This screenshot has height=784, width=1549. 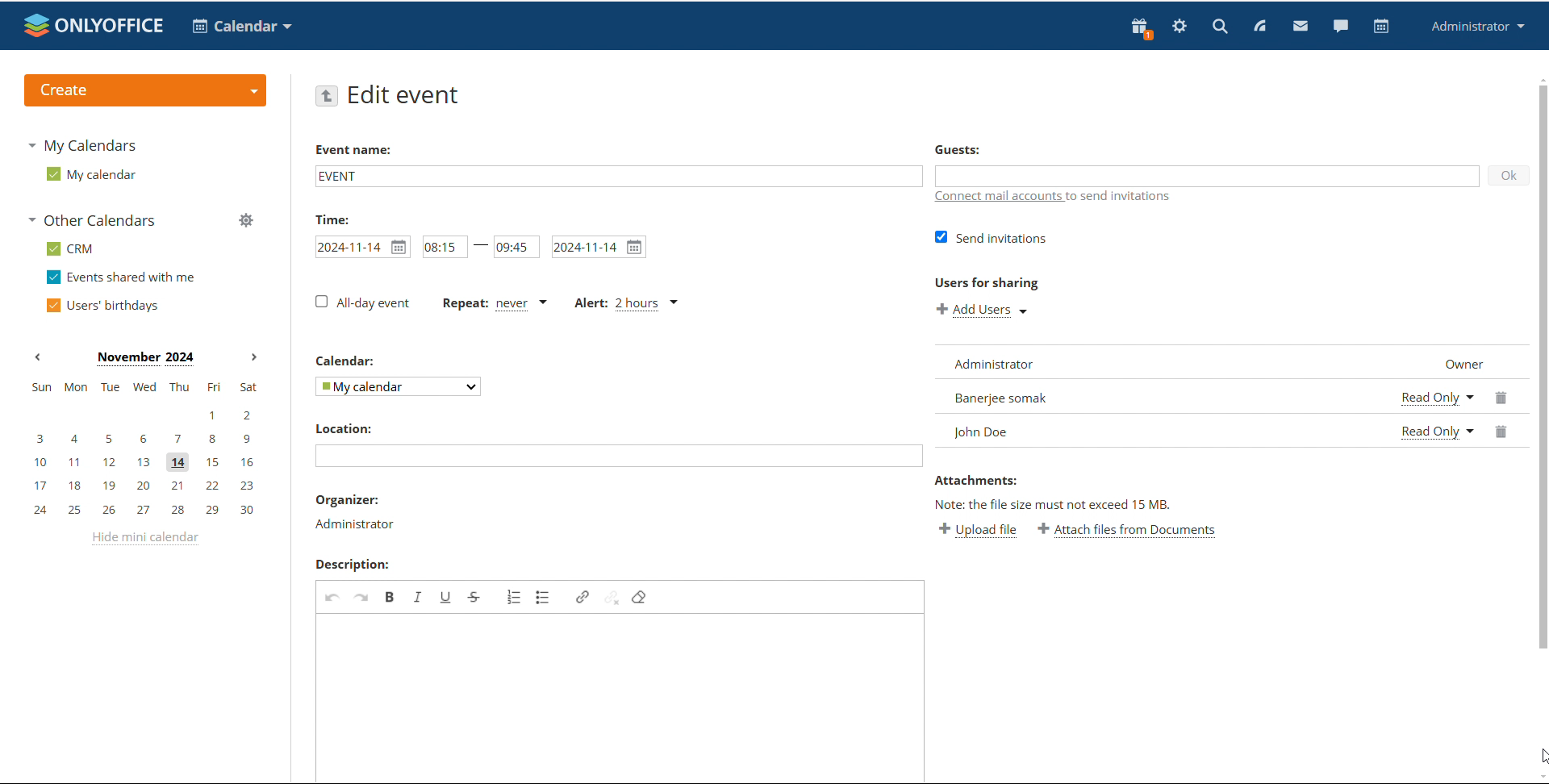 What do you see at coordinates (583, 597) in the screenshot?
I see `link` at bounding box center [583, 597].